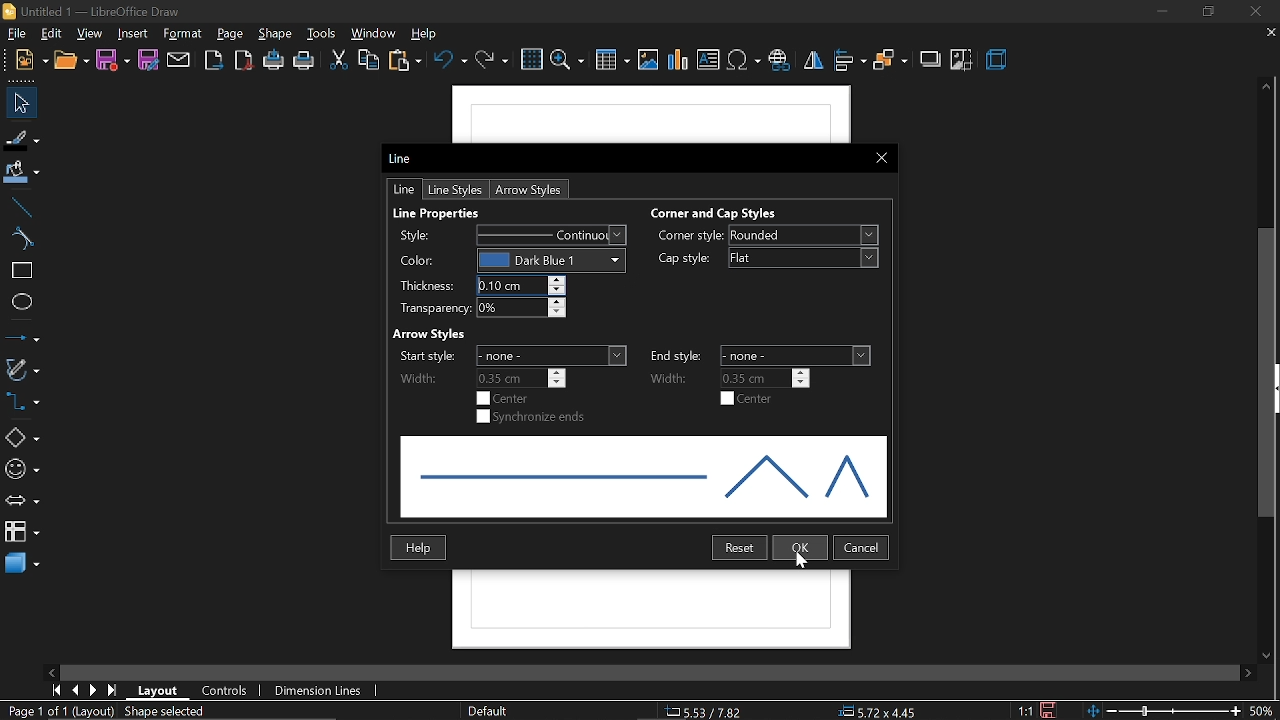  I want to click on insert text, so click(710, 60).